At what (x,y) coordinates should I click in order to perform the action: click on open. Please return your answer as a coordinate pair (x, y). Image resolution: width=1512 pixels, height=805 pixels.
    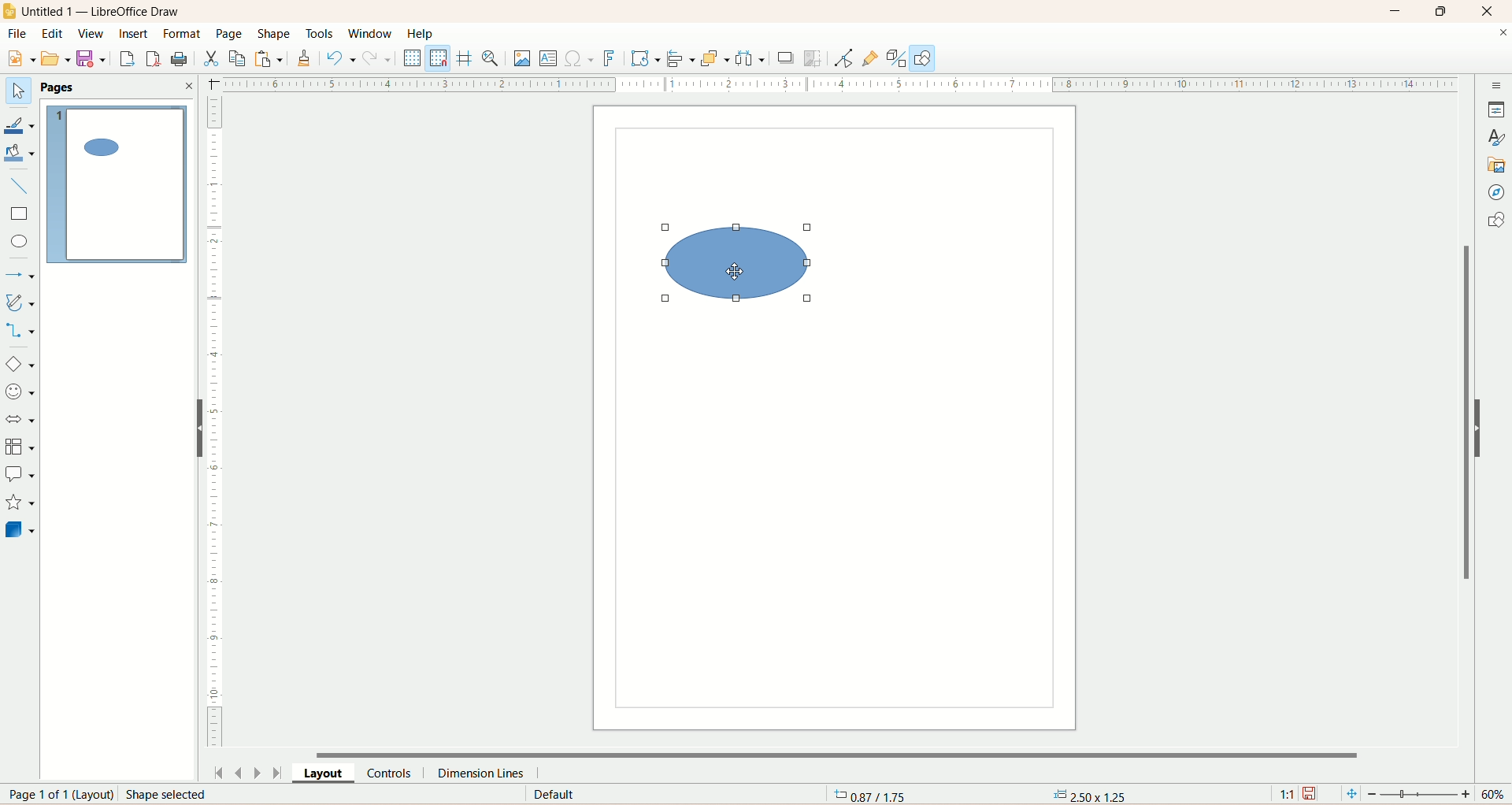
    Looking at the image, I should click on (54, 57).